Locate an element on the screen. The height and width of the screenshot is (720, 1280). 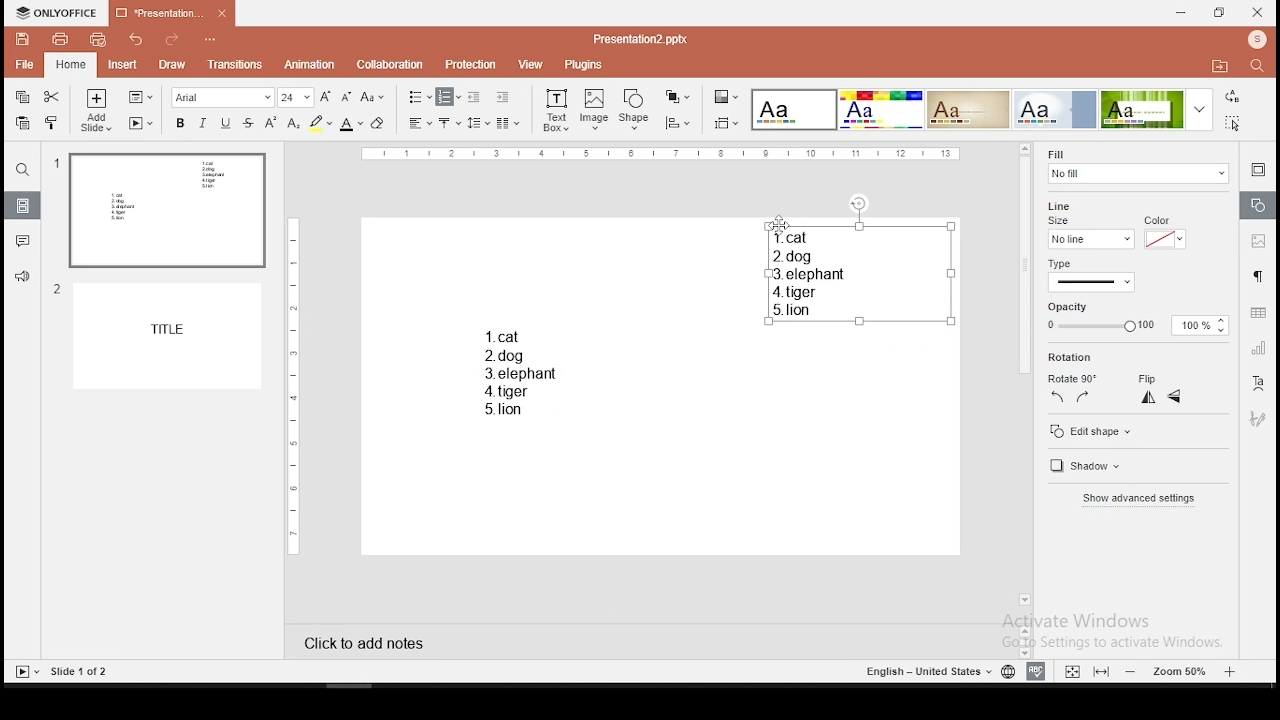
slide settings is located at coordinates (1258, 172).